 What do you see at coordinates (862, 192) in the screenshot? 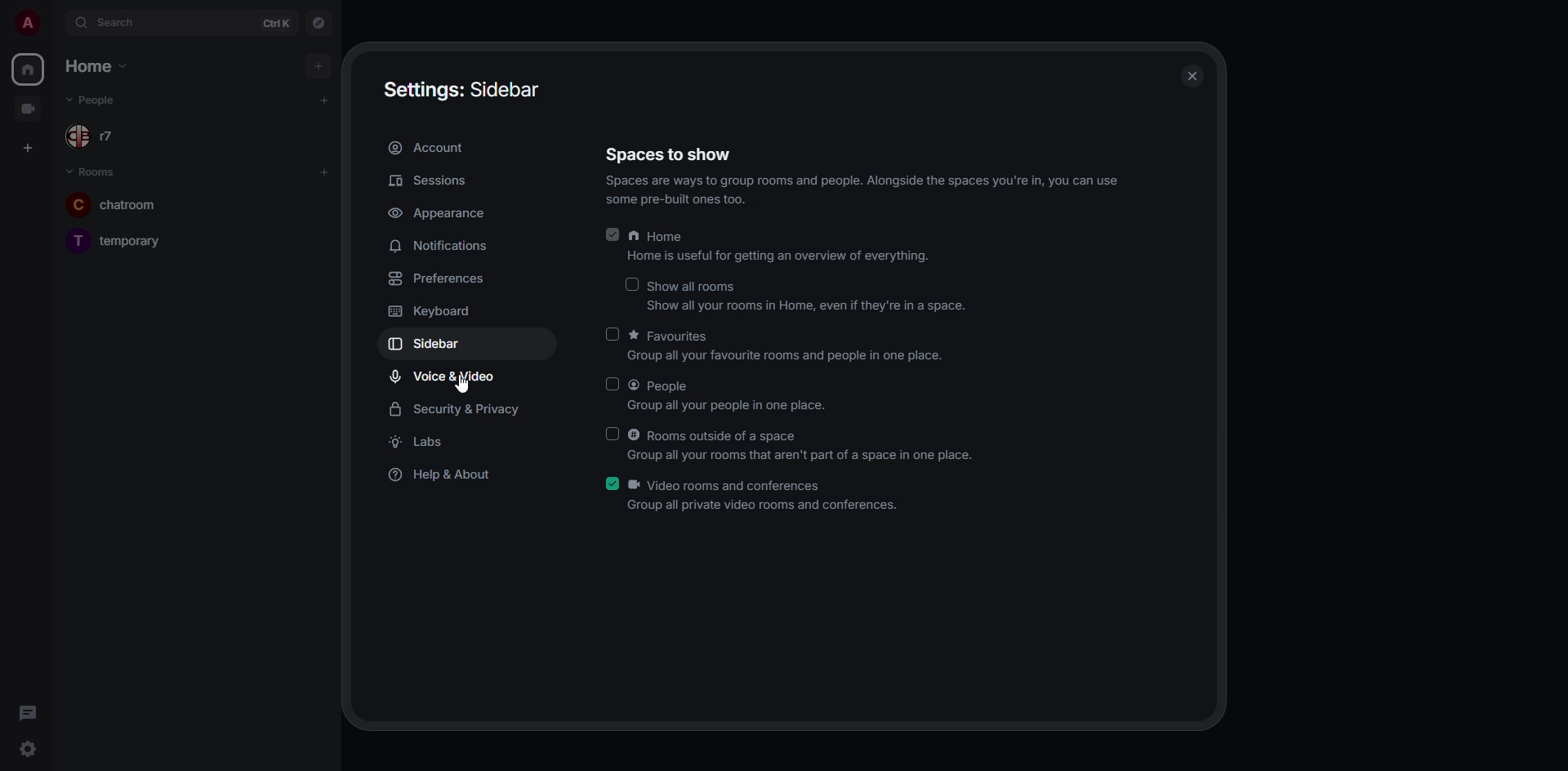
I see `spaces are ways to group` at bounding box center [862, 192].